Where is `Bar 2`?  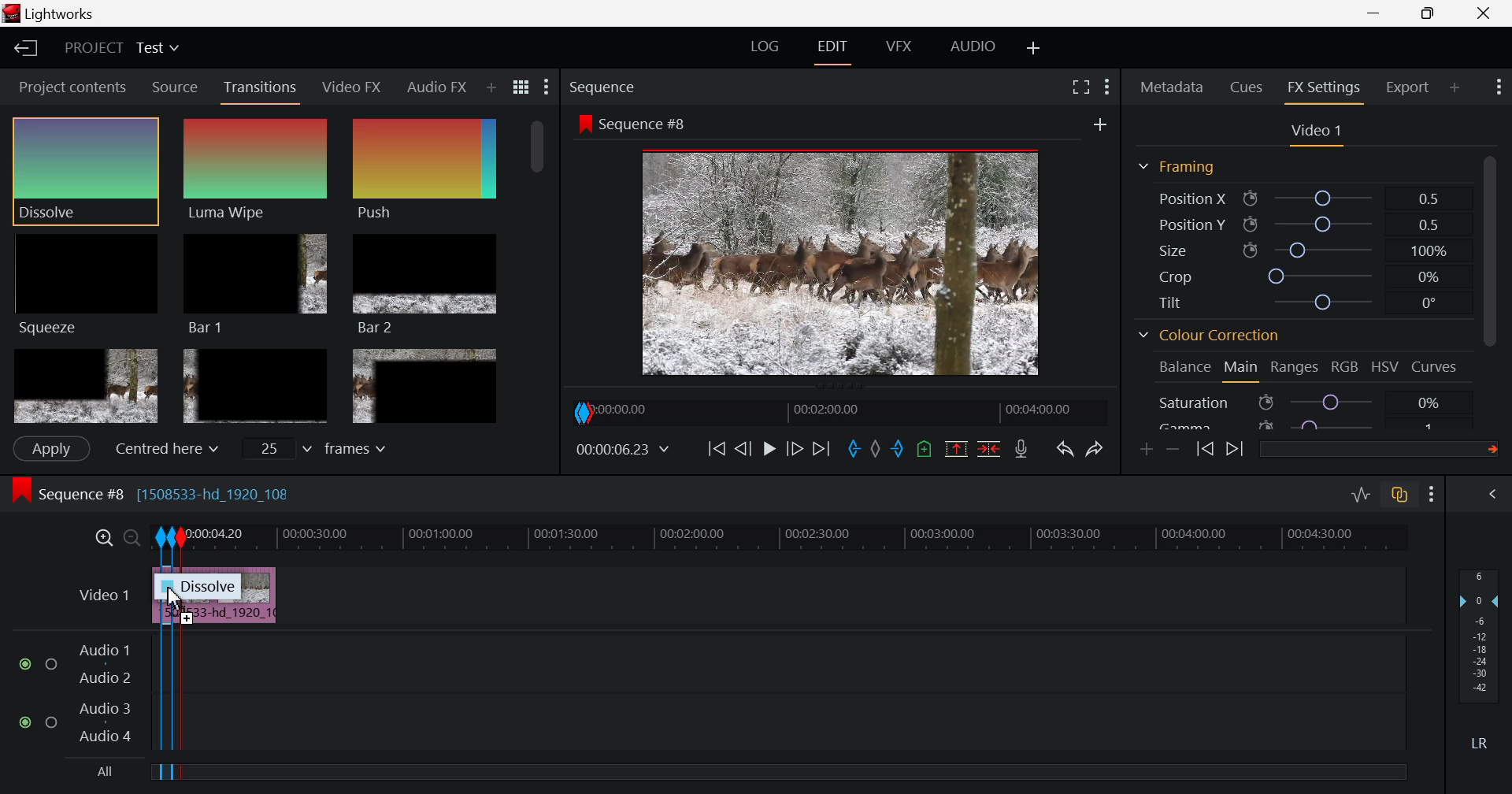
Bar 2 is located at coordinates (426, 284).